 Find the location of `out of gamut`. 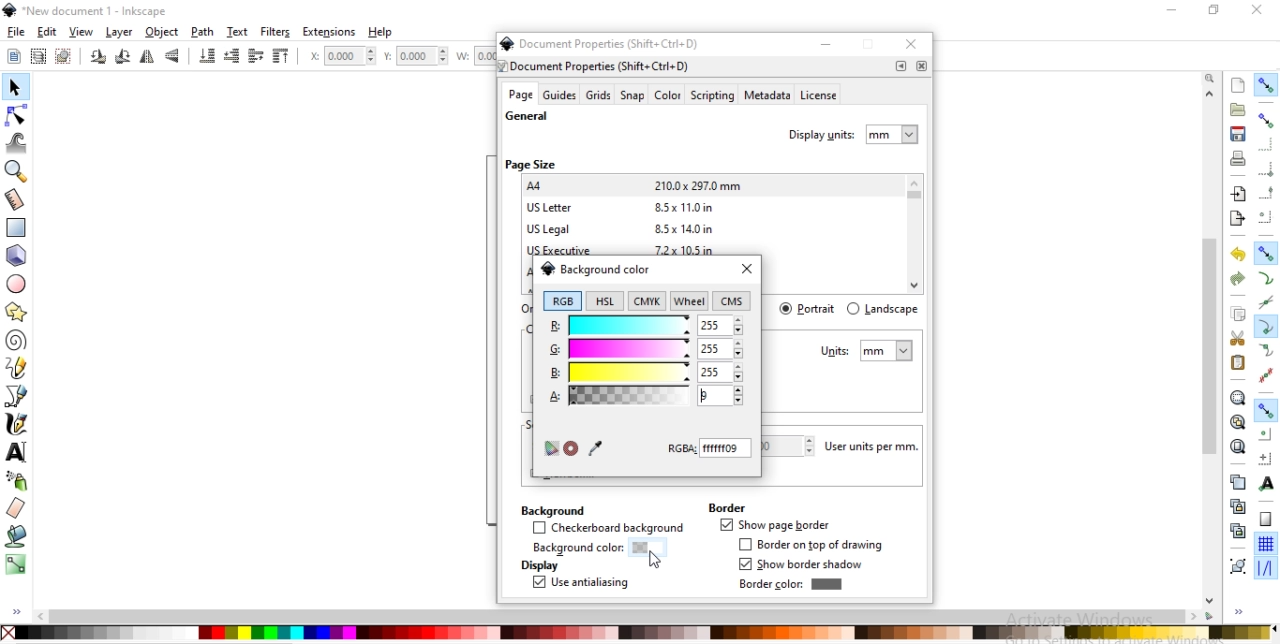

out of gamut is located at coordinates (571, 449).